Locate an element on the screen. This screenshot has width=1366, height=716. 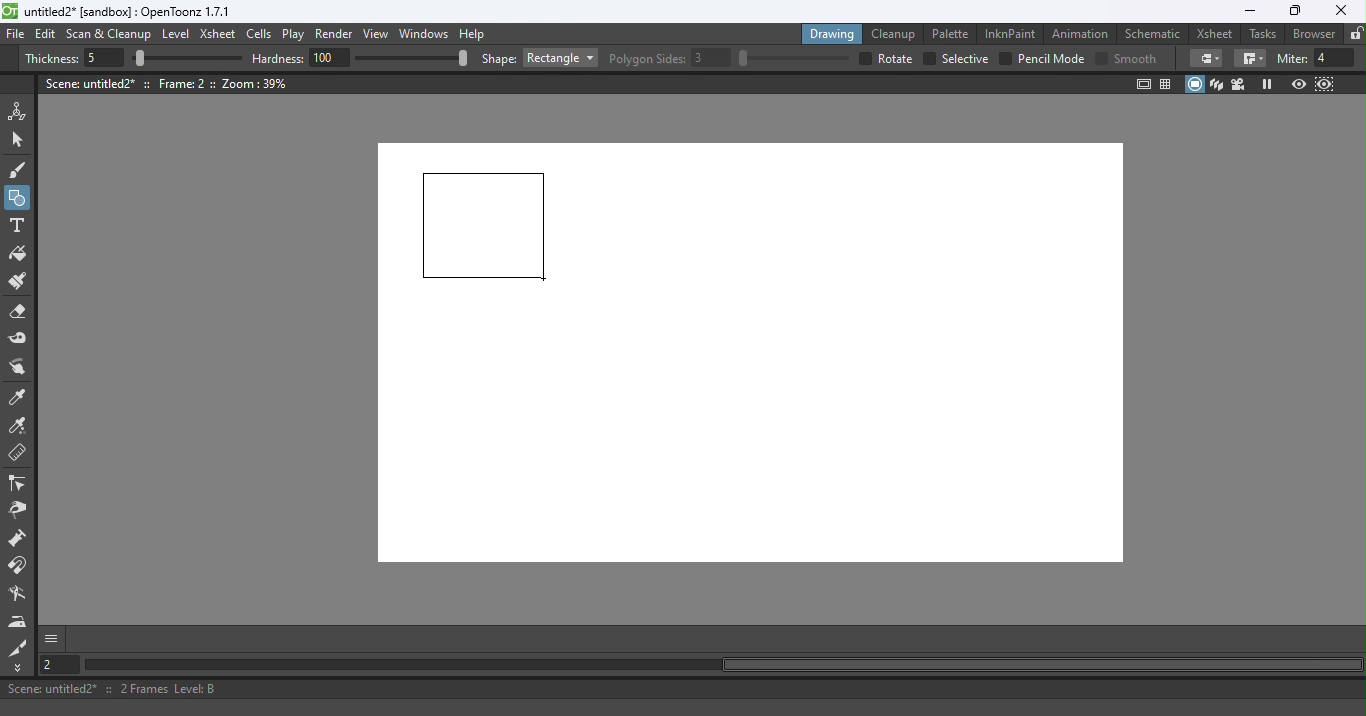
Thickness is located at coordinates (51, 59).